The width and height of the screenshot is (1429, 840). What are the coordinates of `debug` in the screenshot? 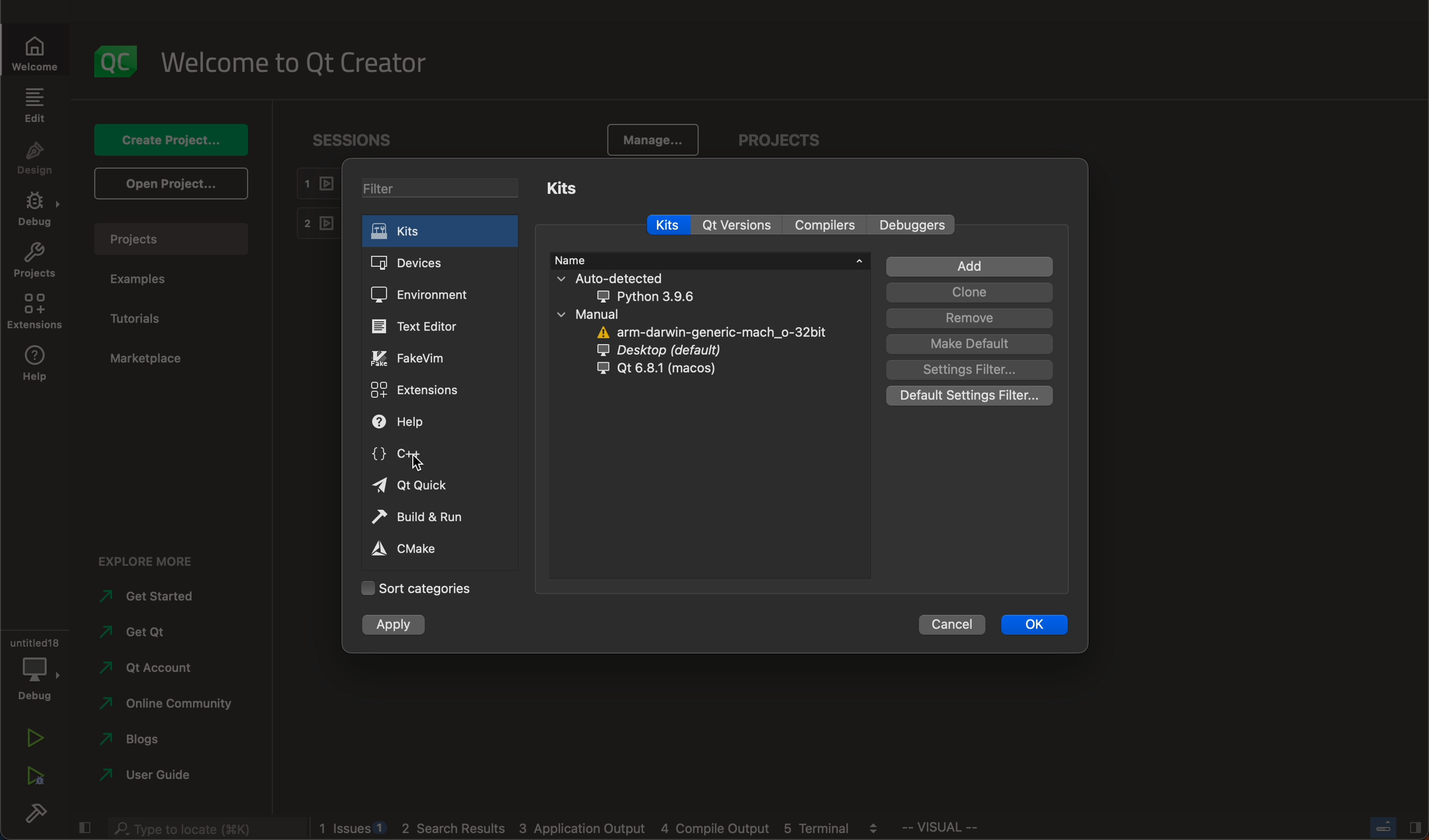 It's located at (38, 211).